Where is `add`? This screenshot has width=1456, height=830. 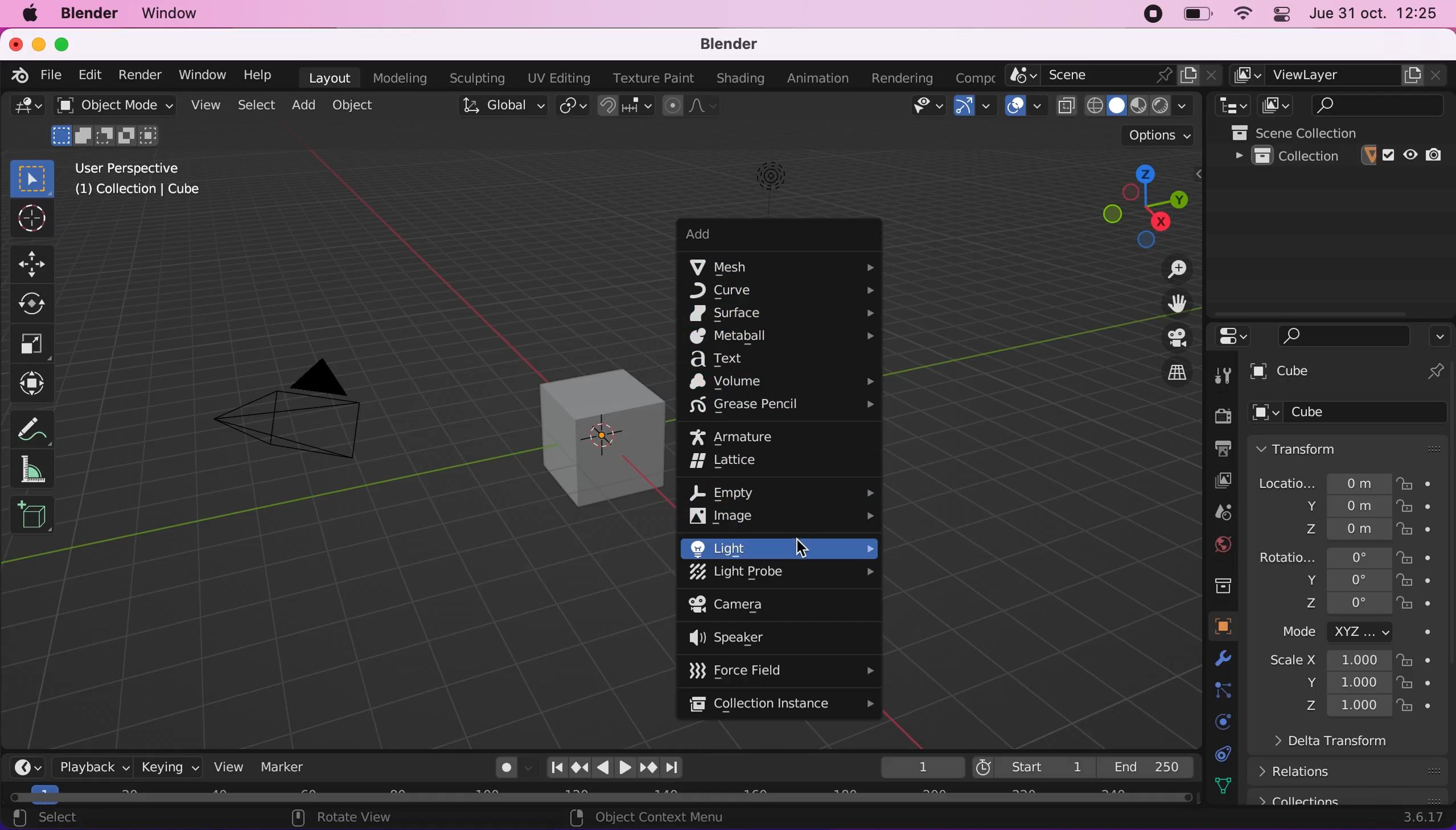
add is located at coordinates (761, 237).